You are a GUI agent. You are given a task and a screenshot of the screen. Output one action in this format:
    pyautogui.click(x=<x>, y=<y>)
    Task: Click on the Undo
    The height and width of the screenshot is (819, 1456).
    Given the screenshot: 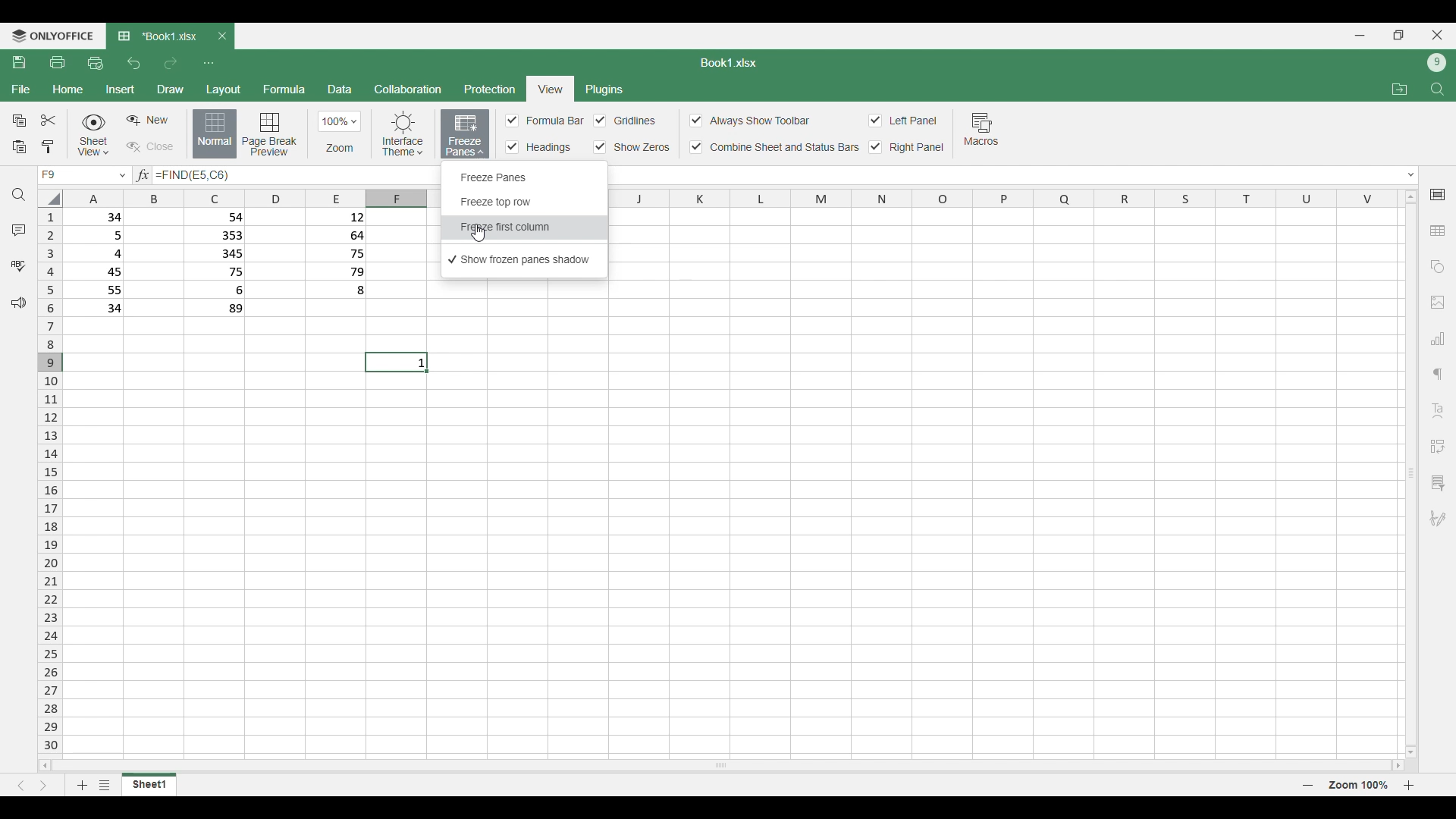 What is the action you would take?
    pyautogui.click(x=135, y=64)
    